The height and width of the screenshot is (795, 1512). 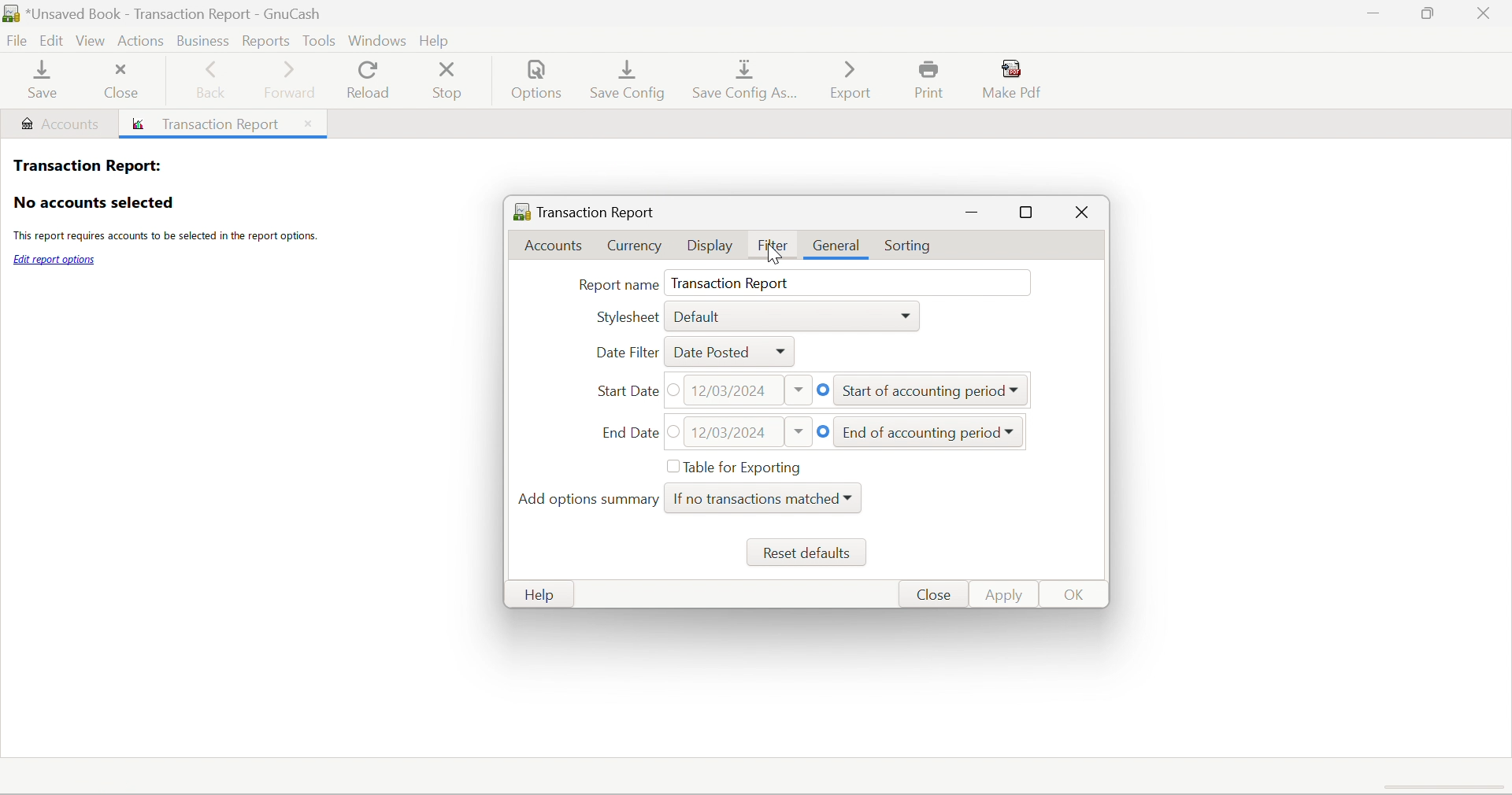 I want to click on Start Date, so click(x=626, y=390).